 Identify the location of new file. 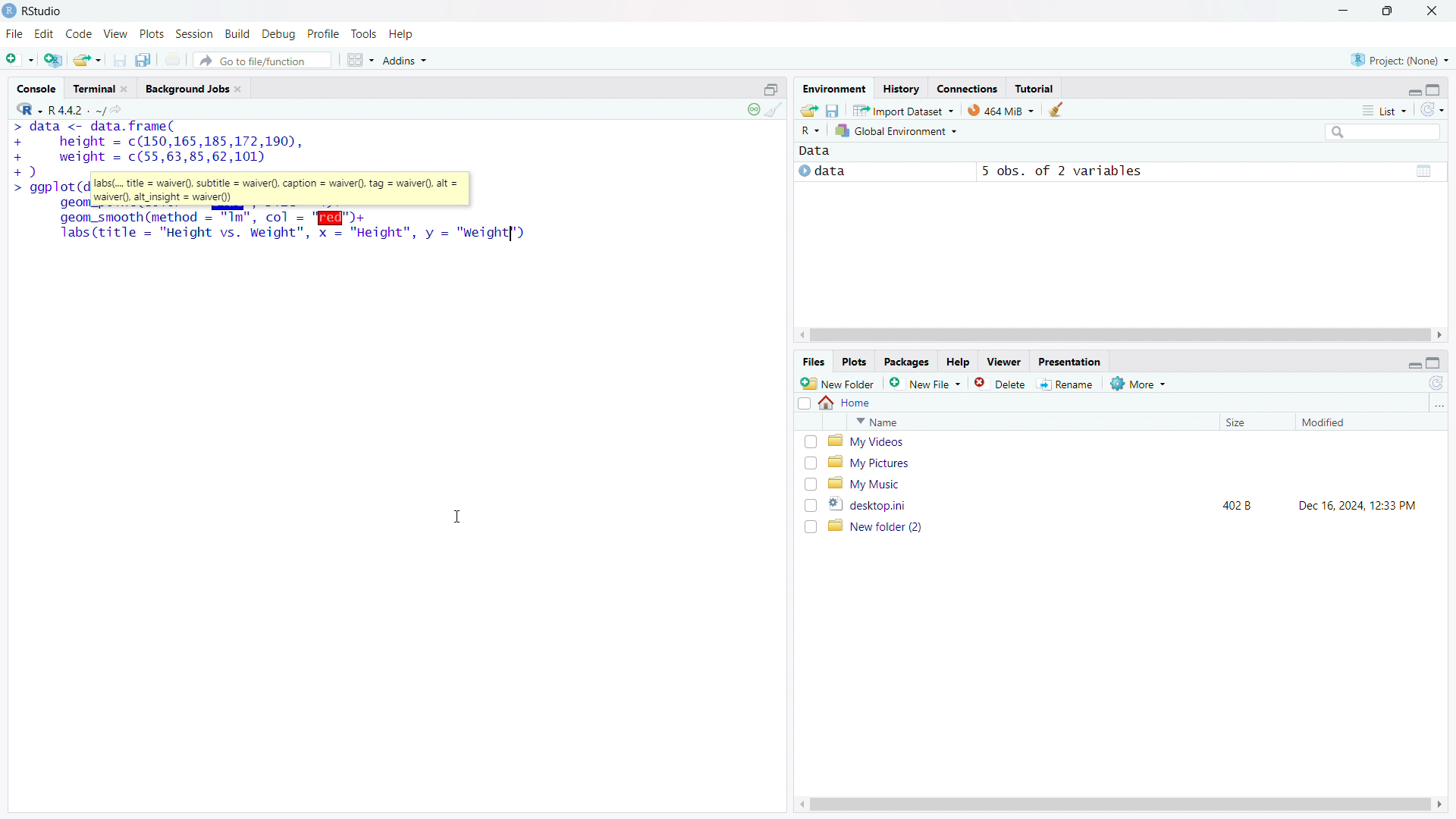
(20, 57).